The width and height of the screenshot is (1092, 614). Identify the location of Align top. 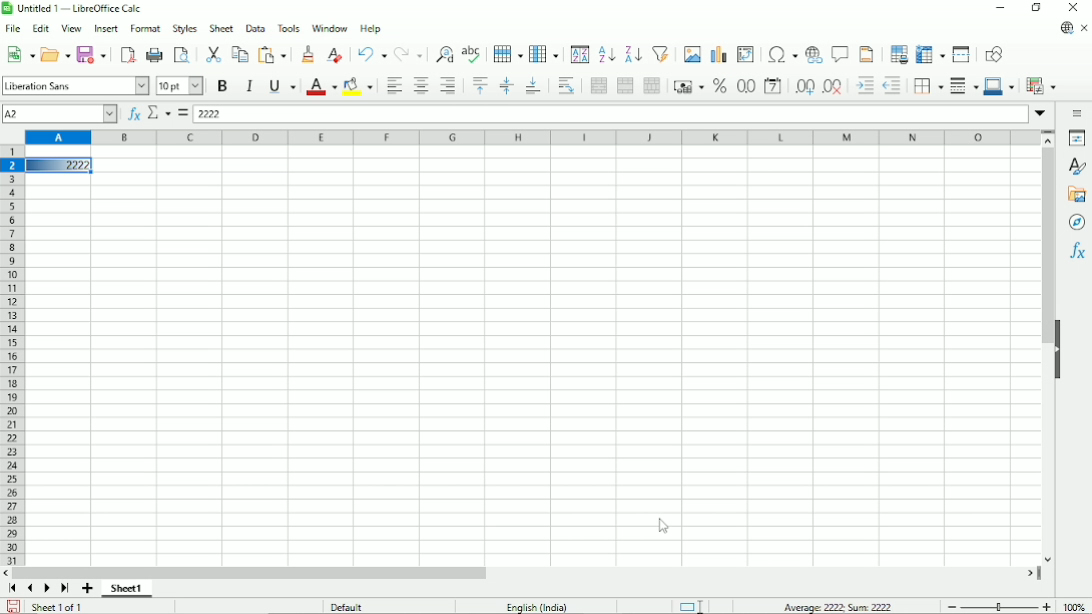
(479, 85).